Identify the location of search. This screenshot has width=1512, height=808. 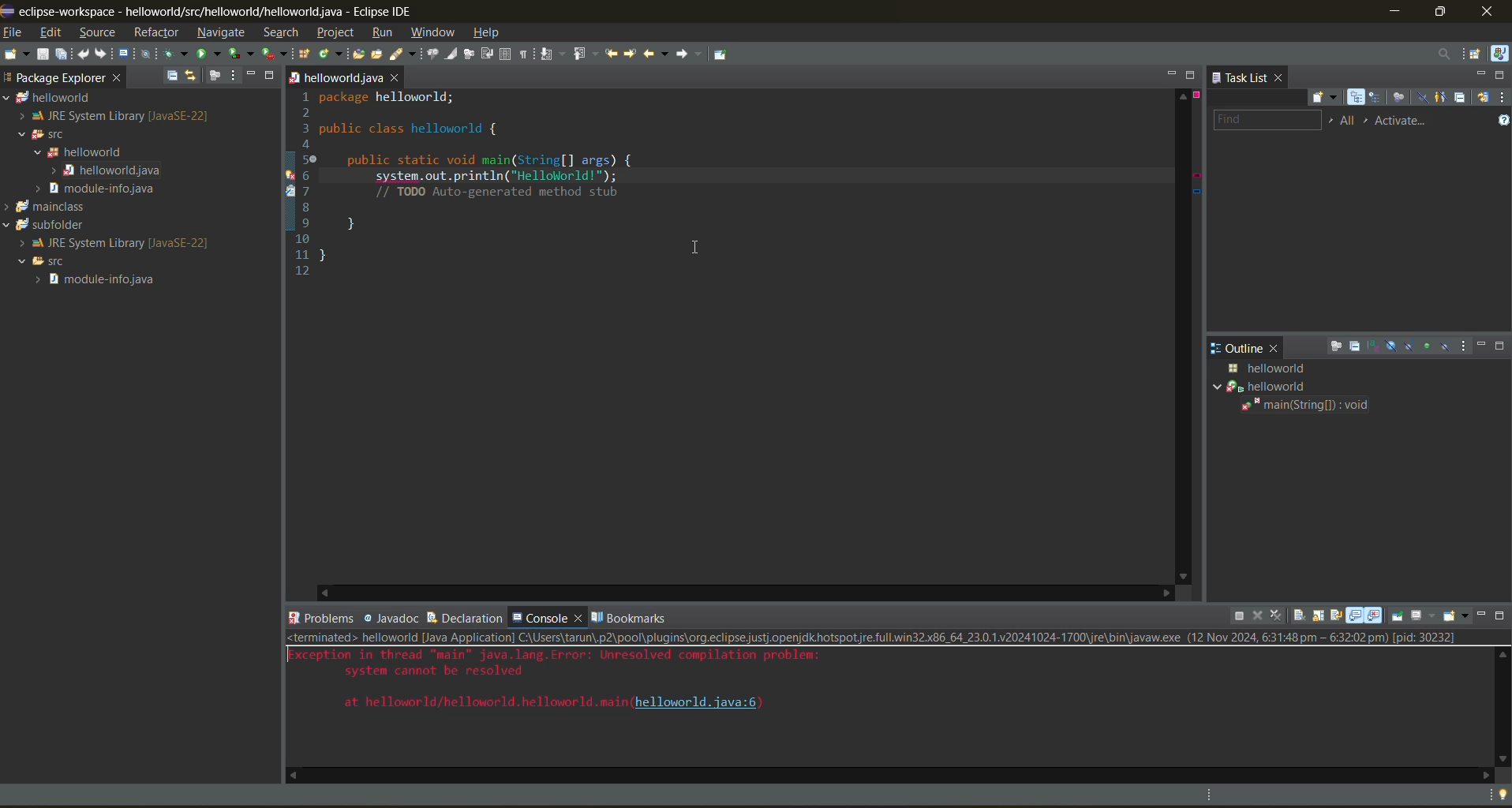
(405, 55).